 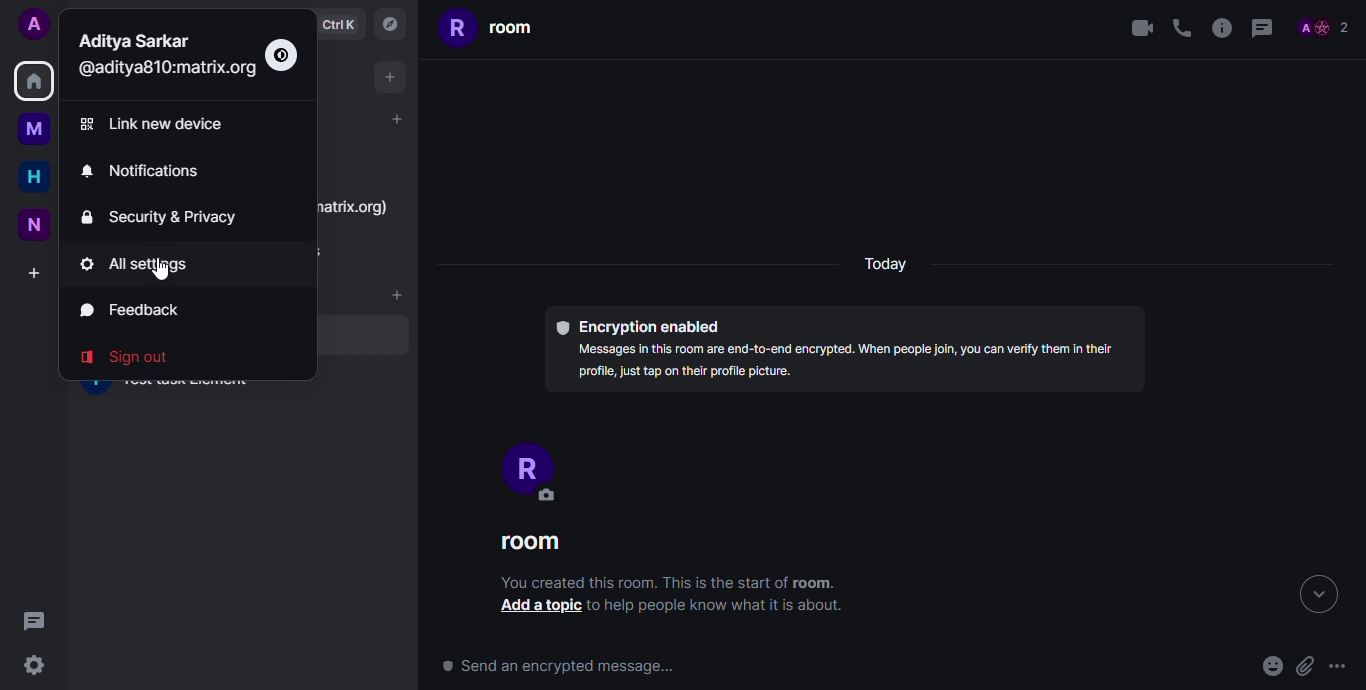 What do you see at coordinates (1317, 595) in the screenshot?
I see `expand` at bounding box center [1317, 595].